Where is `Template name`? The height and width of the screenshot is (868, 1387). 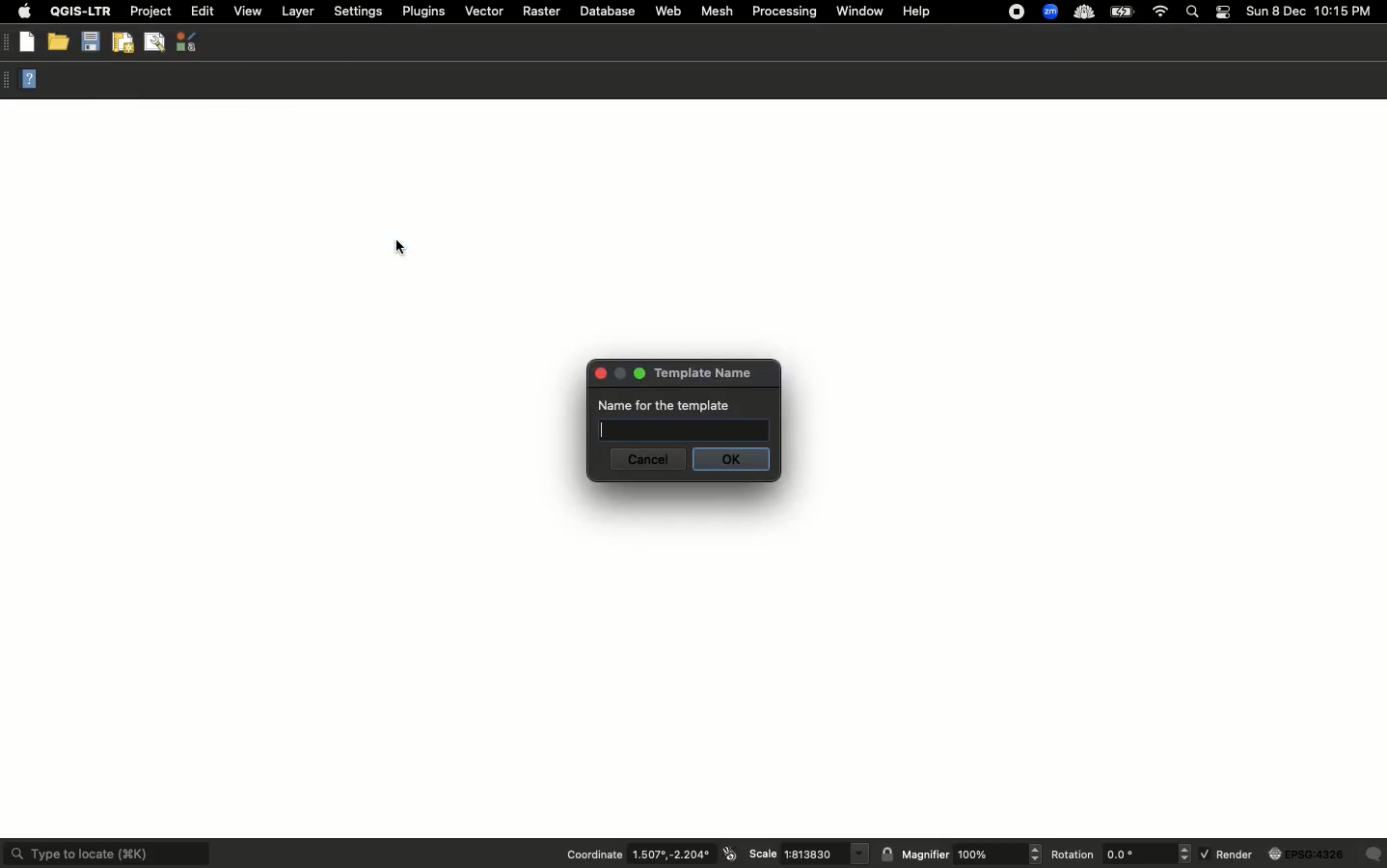 Template name is located at coordinates (710, 372).